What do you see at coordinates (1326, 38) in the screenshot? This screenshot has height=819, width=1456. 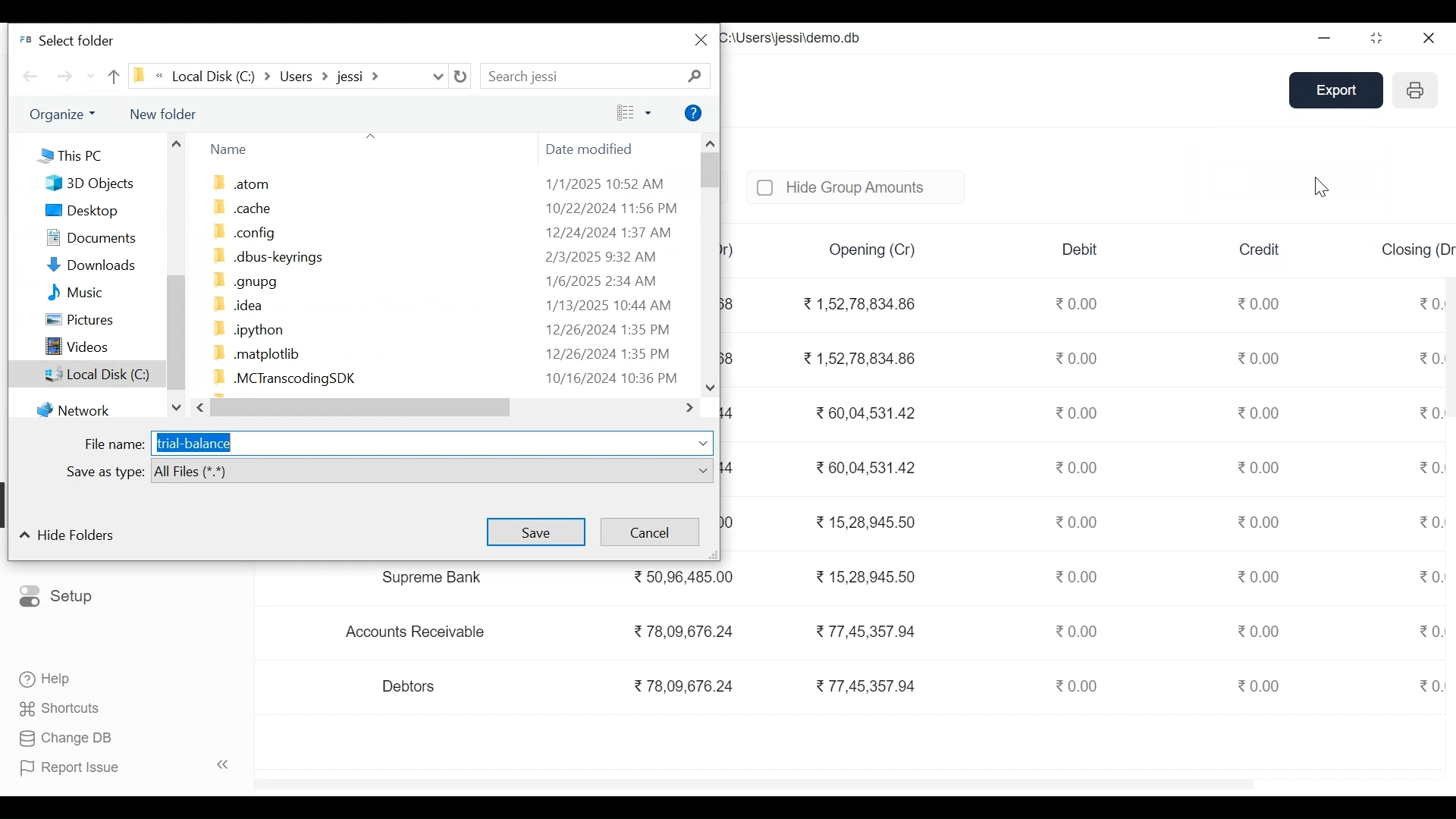 I see `Minimize` at bounding box center [1326, 38].